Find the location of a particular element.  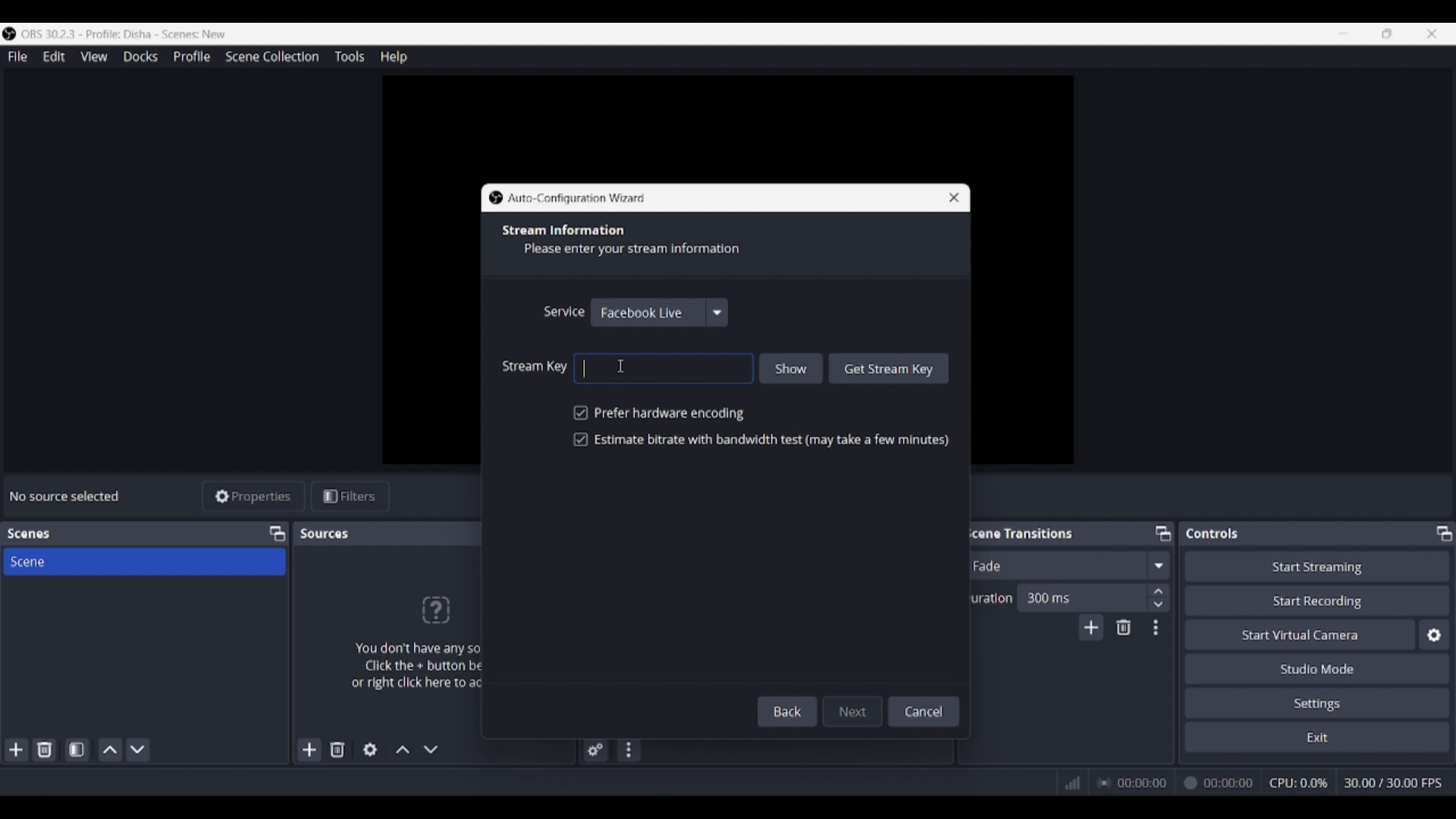

Back is located at coordinates (790, 711).